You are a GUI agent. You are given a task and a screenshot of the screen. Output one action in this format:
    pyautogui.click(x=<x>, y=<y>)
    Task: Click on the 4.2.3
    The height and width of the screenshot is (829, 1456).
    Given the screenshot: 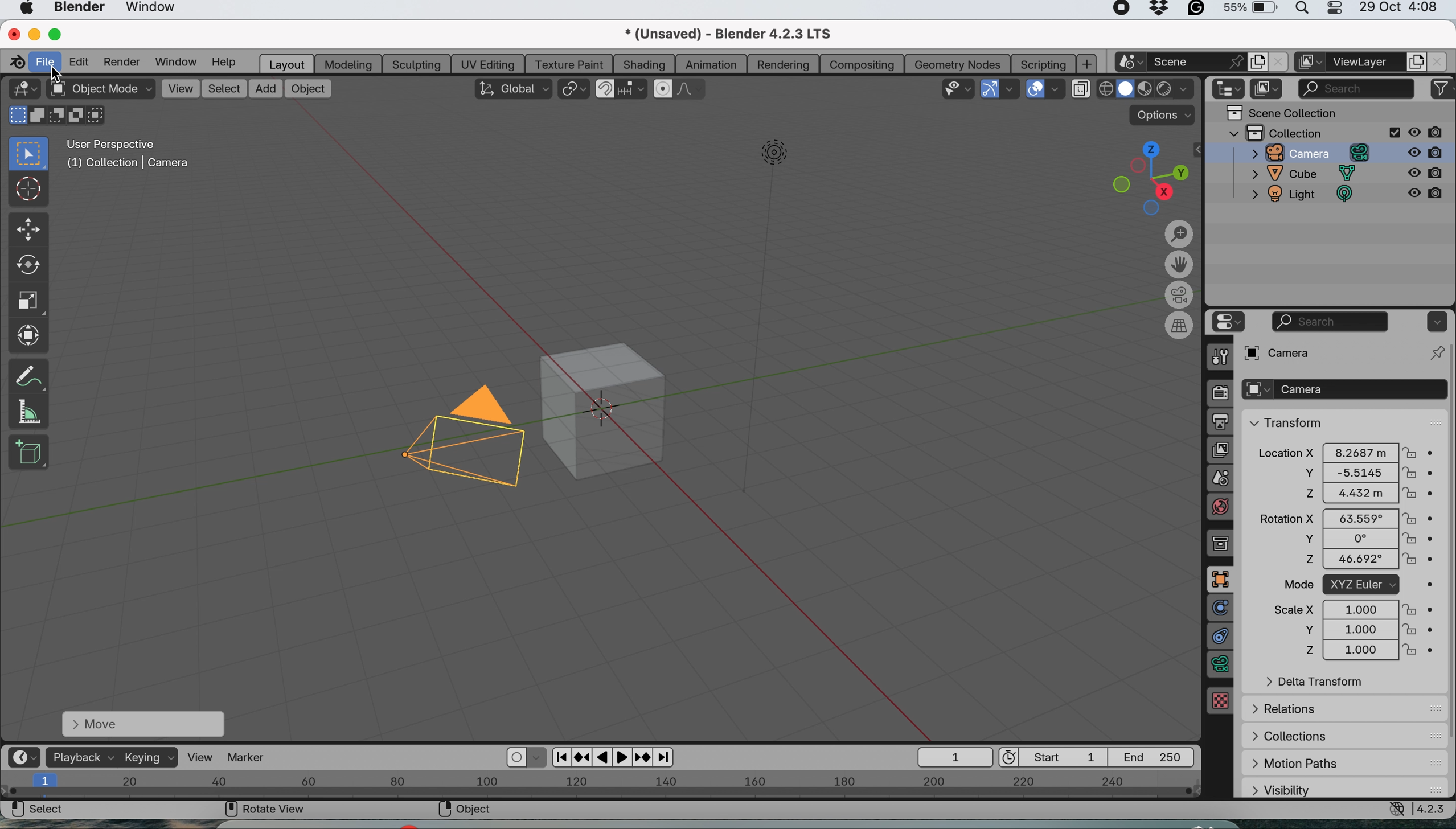 What is the action you would take?
    pyautogui.click(x=1433, y=809)
    